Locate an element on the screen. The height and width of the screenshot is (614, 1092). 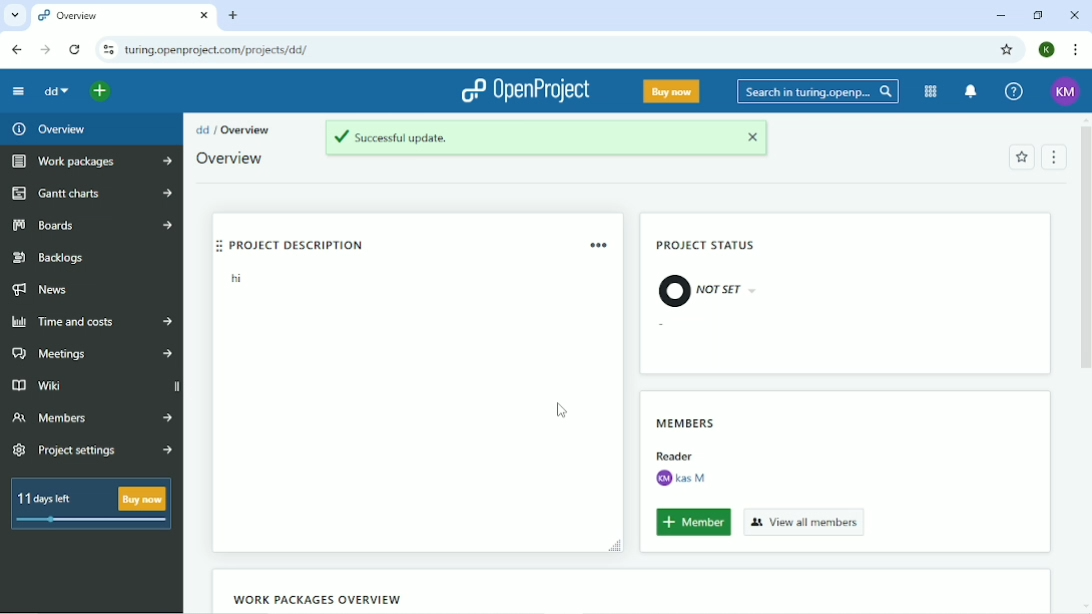
OpenProject is located at coordinates (526, 92).